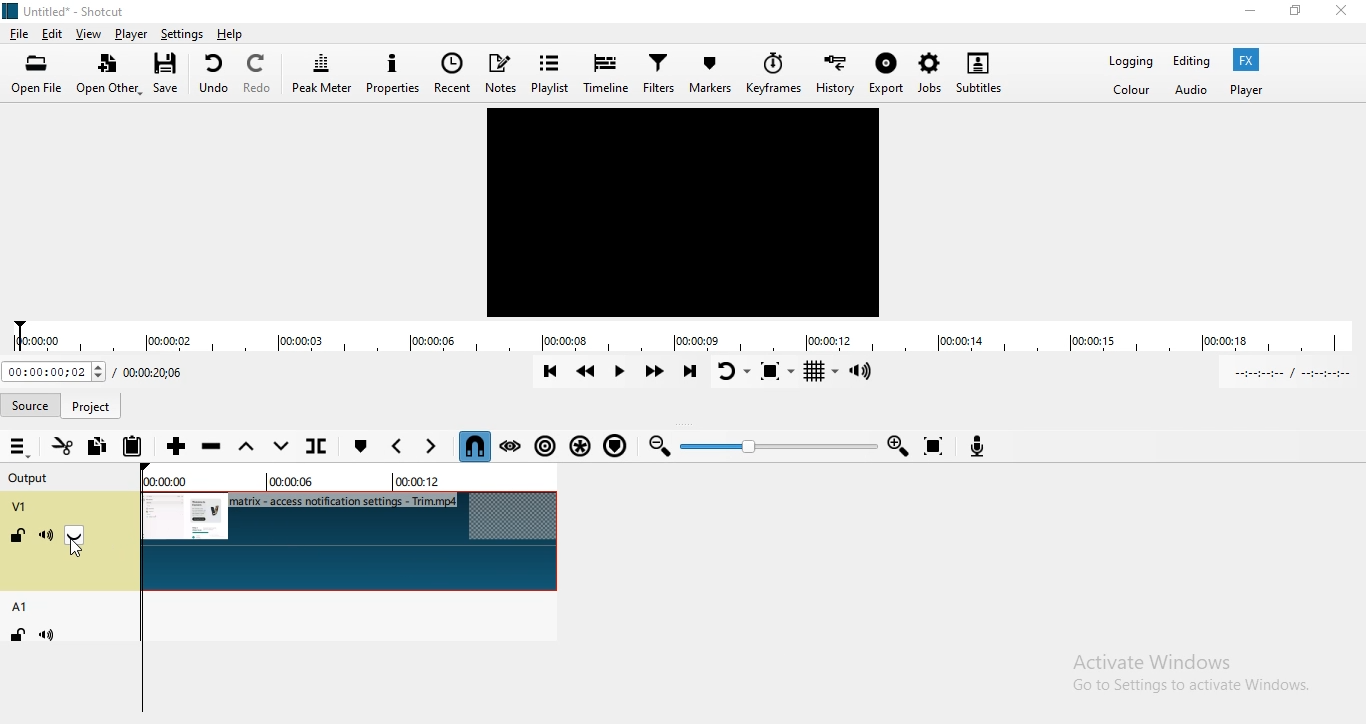  What do you see at coordinates (1348, 13) in the screenshot?
I see `close` at bounding box center [1348, 13].